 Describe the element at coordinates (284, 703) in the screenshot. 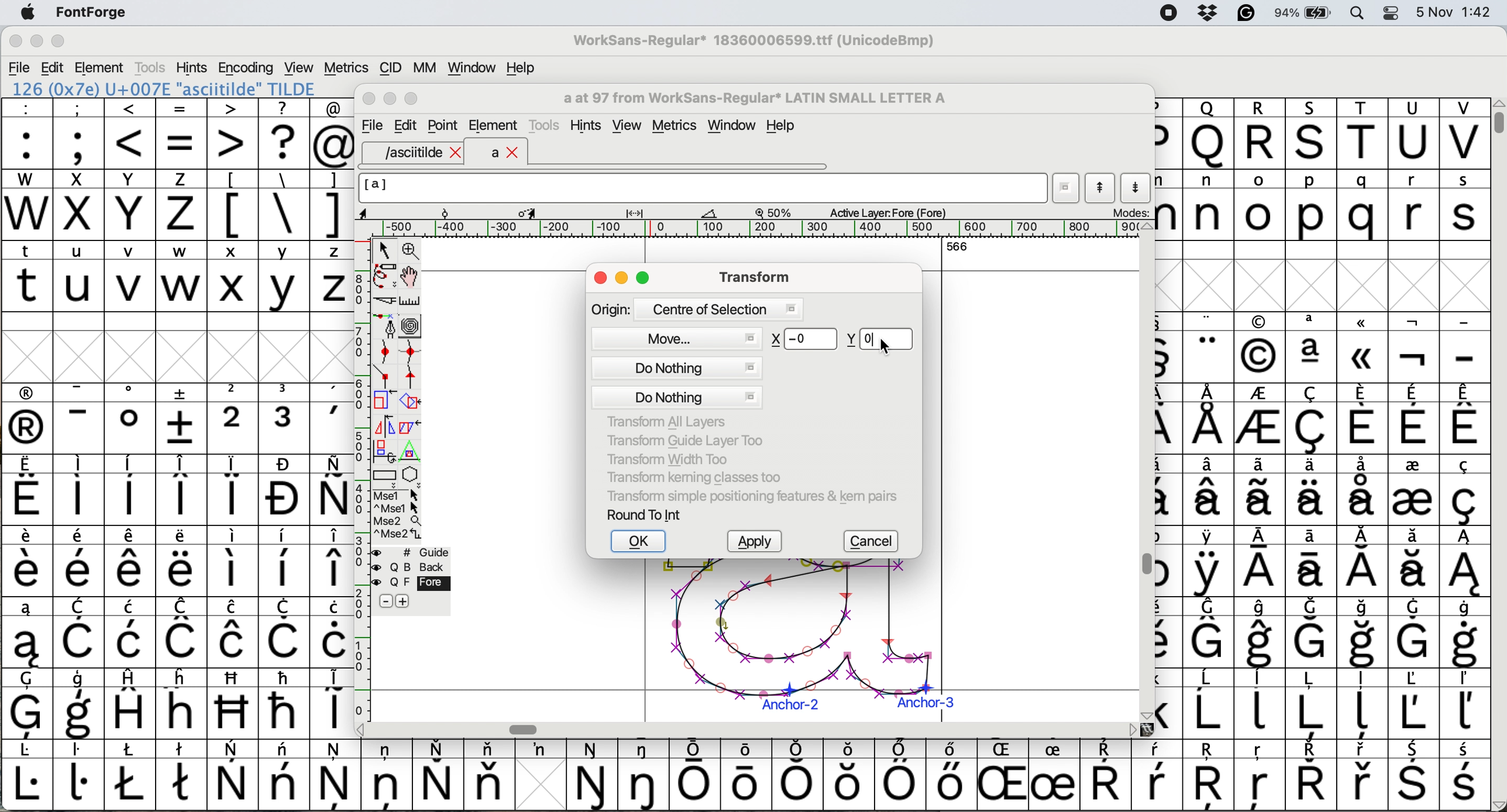

I see `symbol` at that location.